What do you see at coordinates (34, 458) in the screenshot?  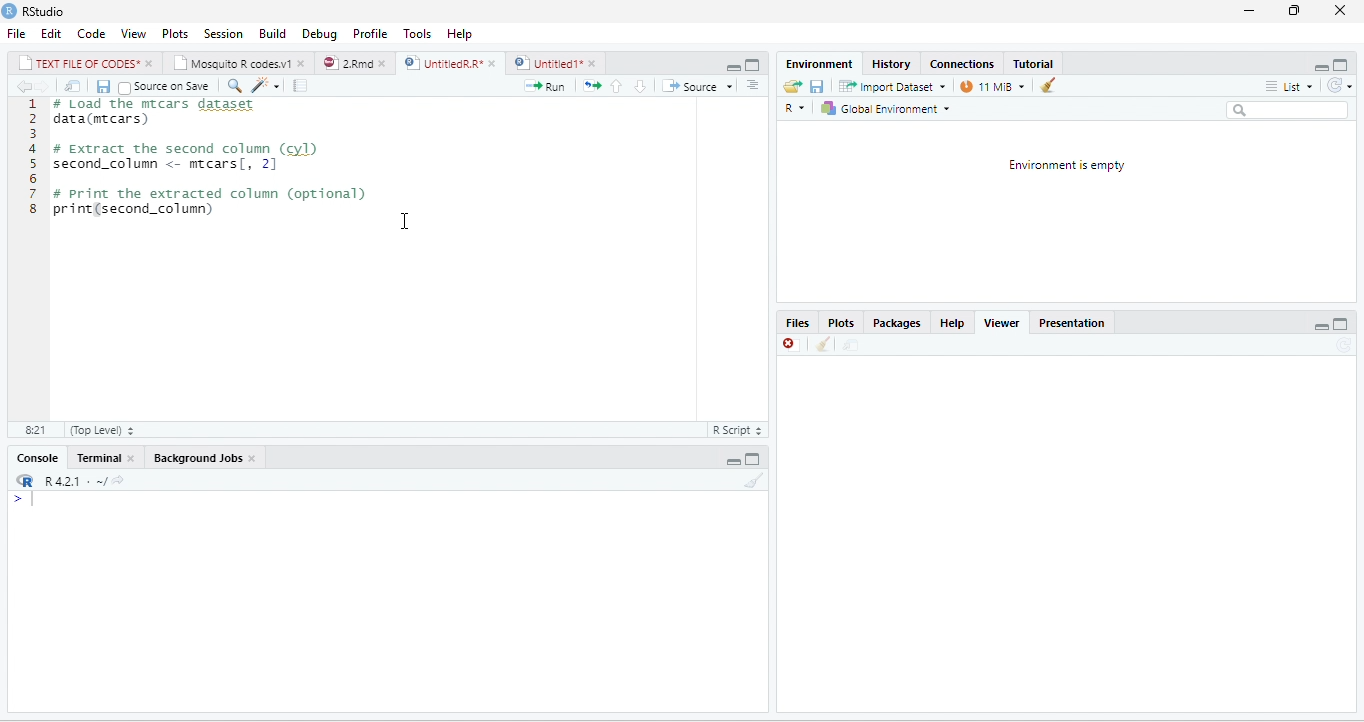 I see `Console` at bounding box center [34, 458].